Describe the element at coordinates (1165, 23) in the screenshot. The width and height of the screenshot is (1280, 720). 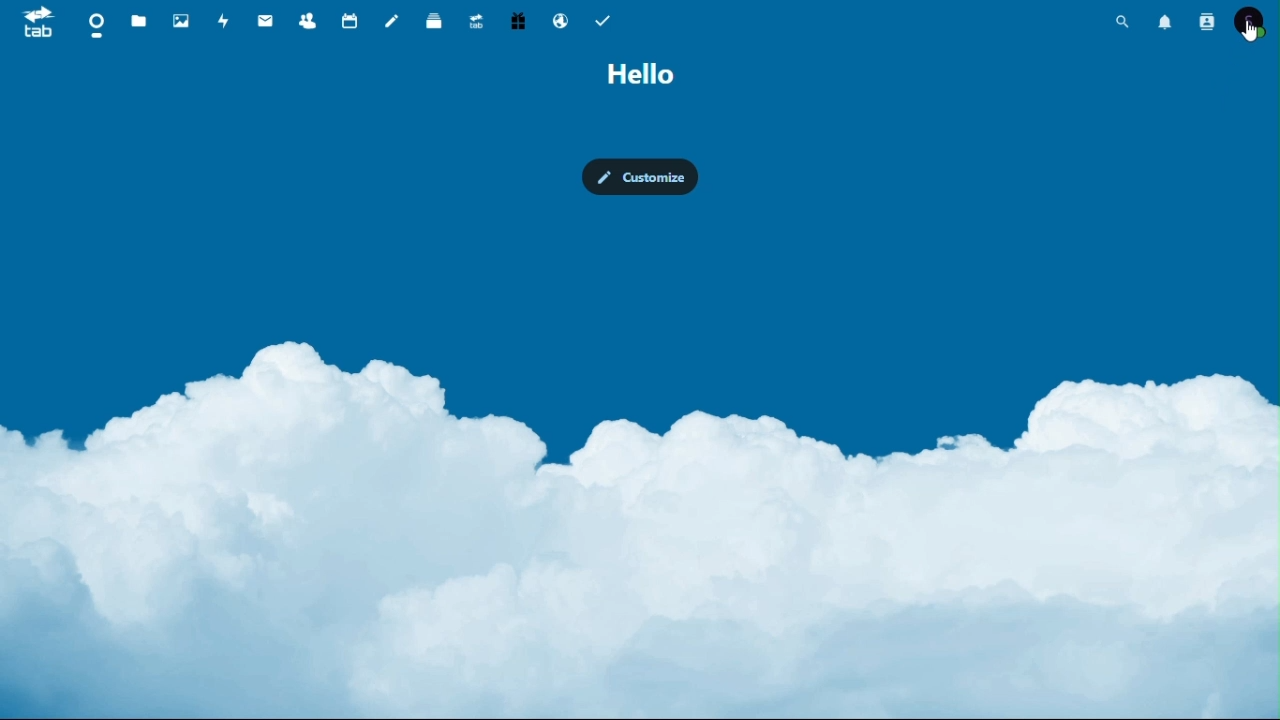
I see `Notifications` at that location.